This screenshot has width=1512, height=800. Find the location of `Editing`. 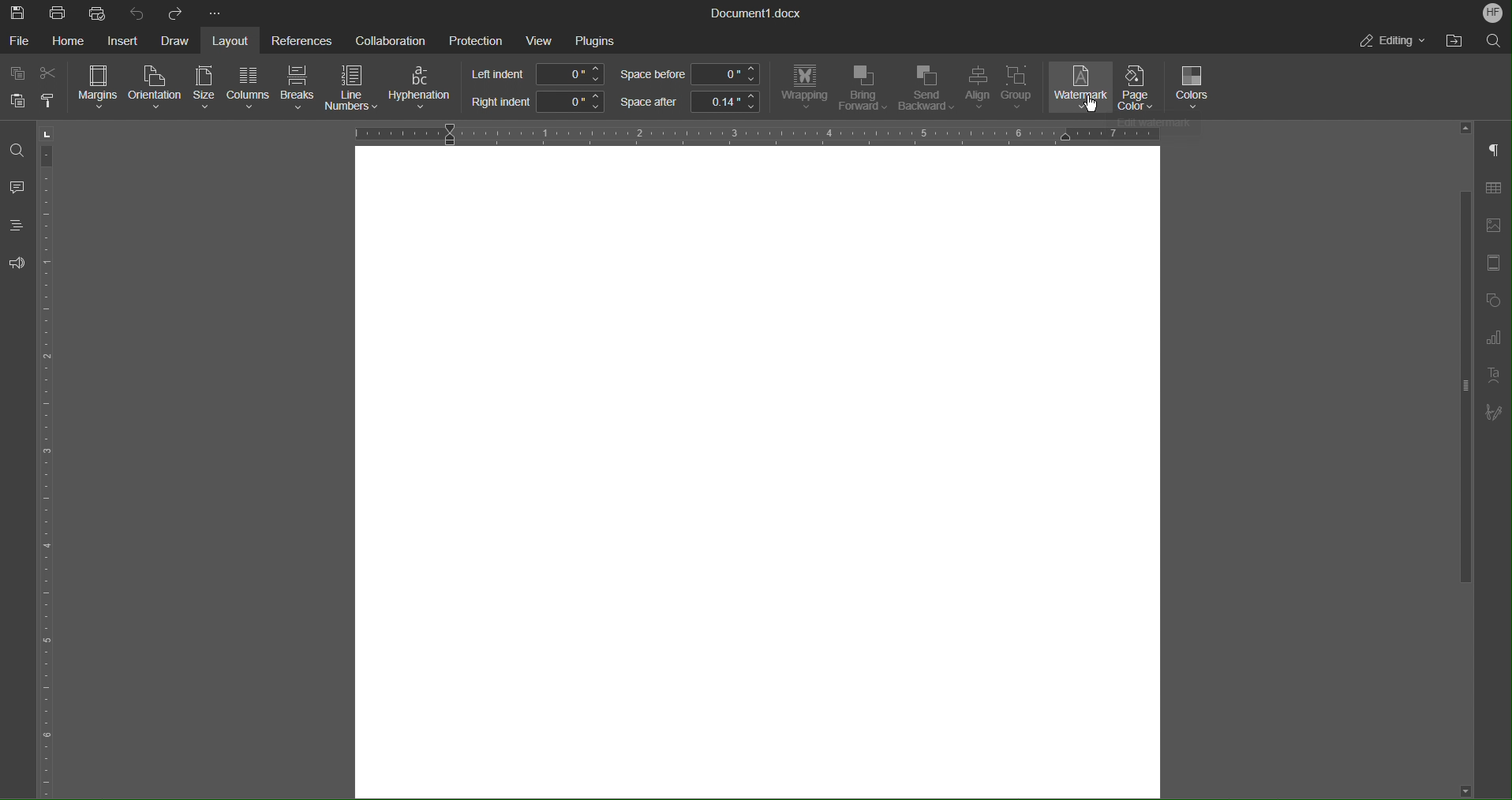

Editing is located at coordinates (1391, 40).